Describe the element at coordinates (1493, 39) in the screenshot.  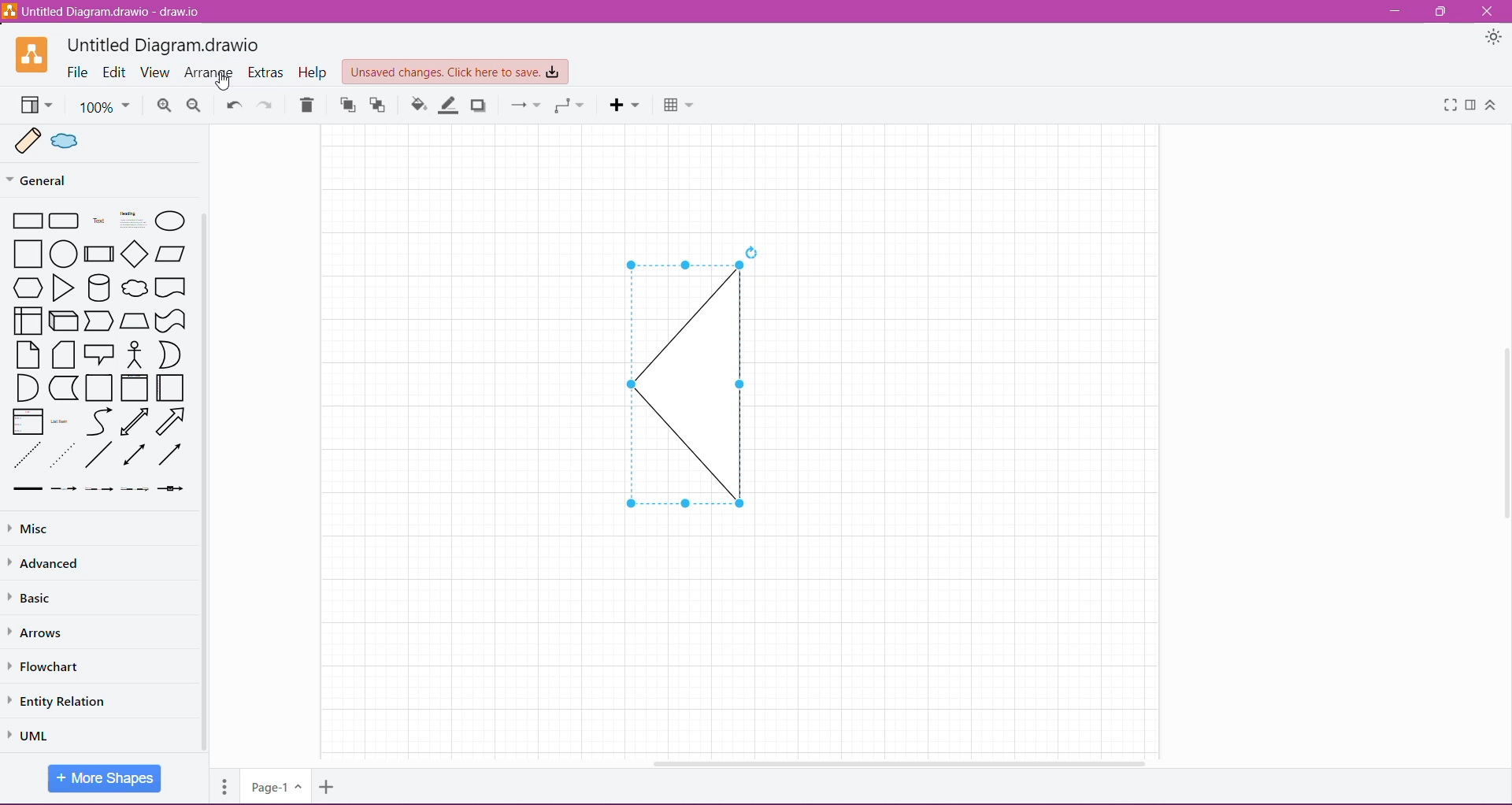
I see `Appearance` at that location.